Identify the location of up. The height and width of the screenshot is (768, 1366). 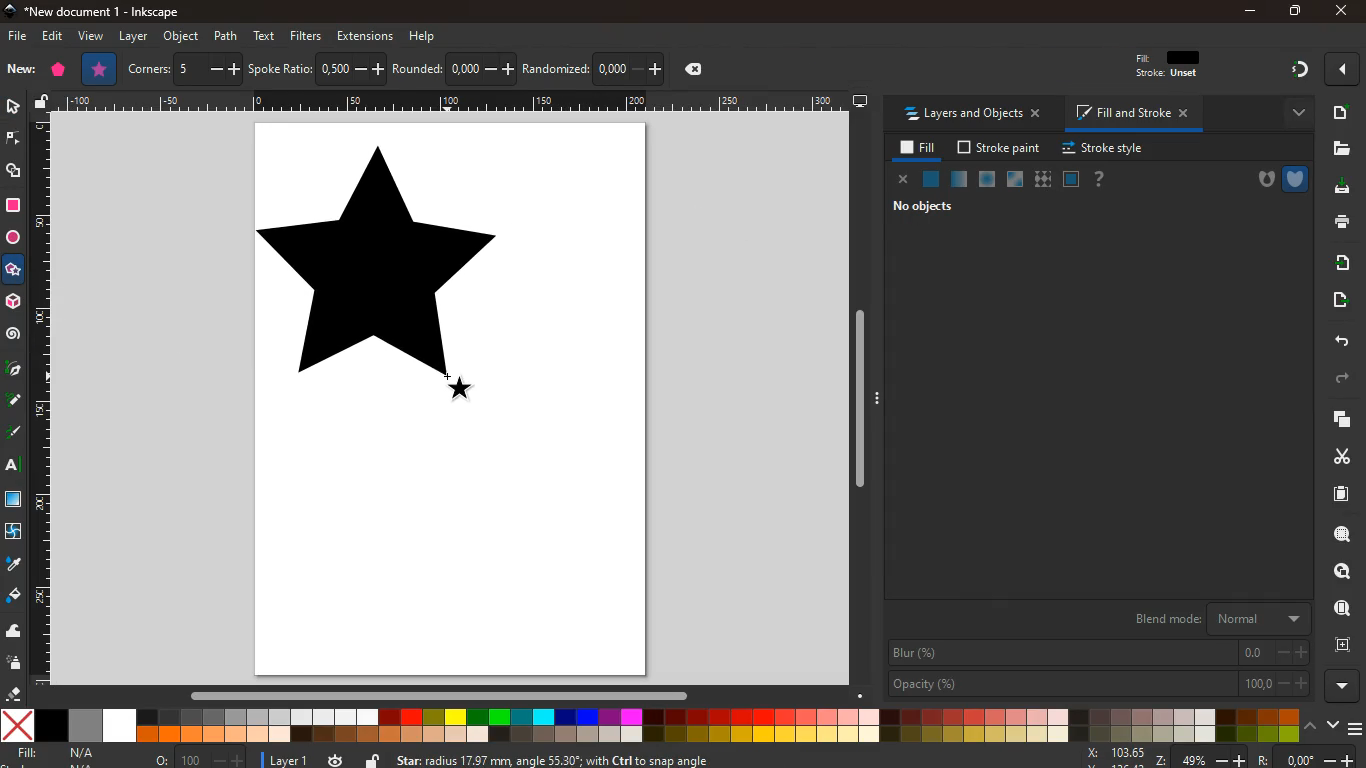
(1310, 725).